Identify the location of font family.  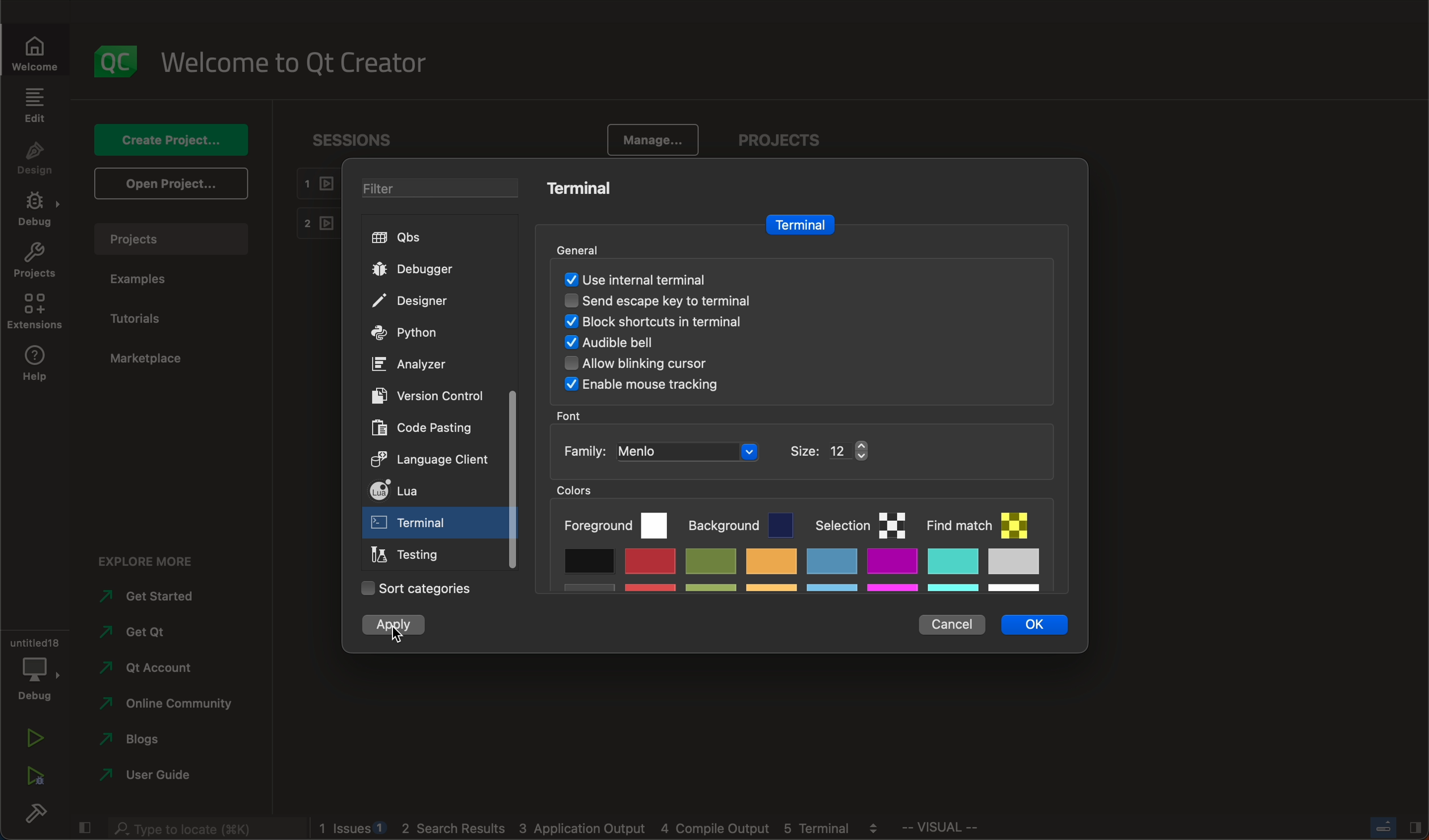
(717, 450).